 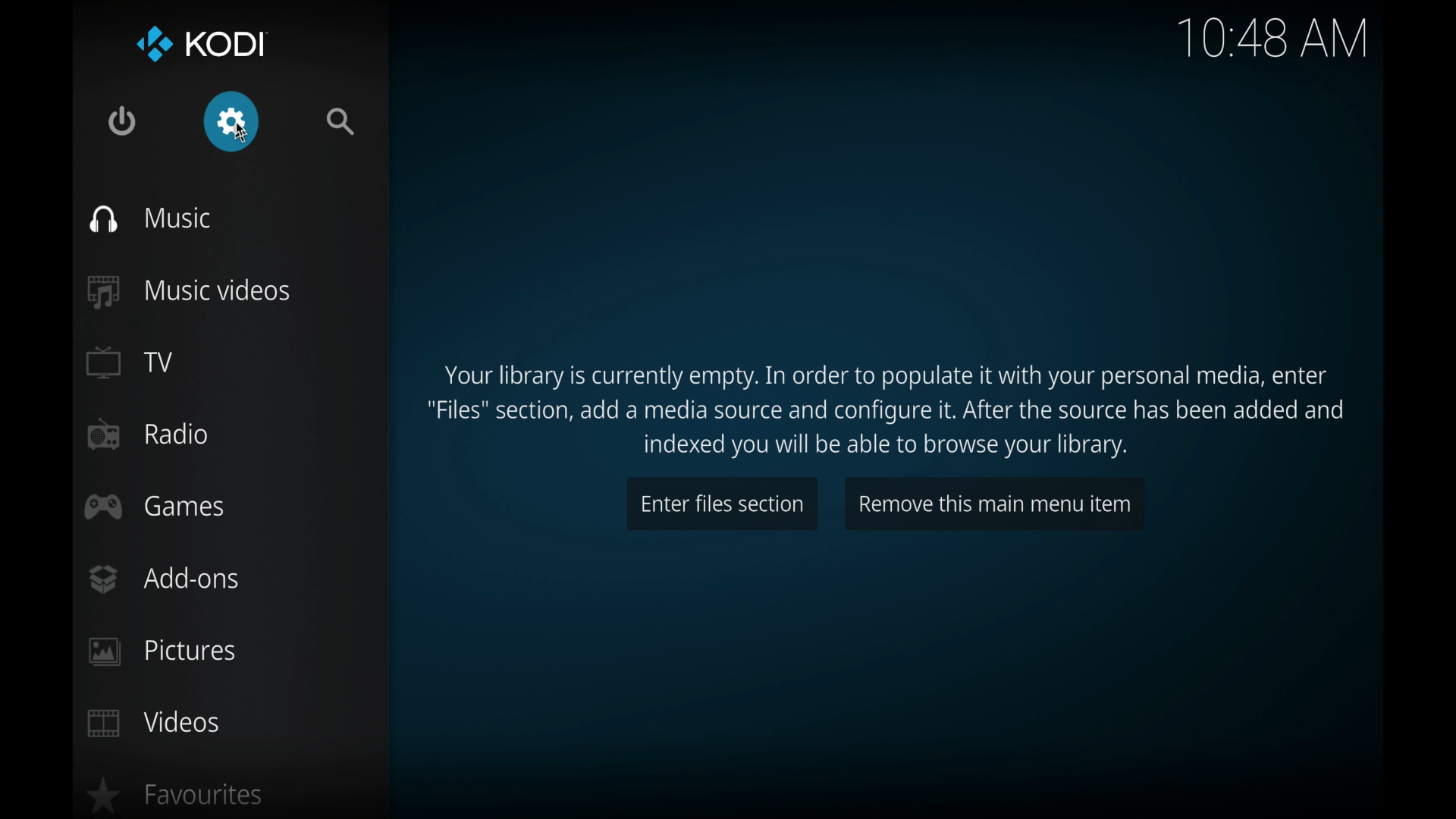 What do you see at coordinates (164, 579) in the screenshot?
I see `add-ons` at bounding box center [164, 579].